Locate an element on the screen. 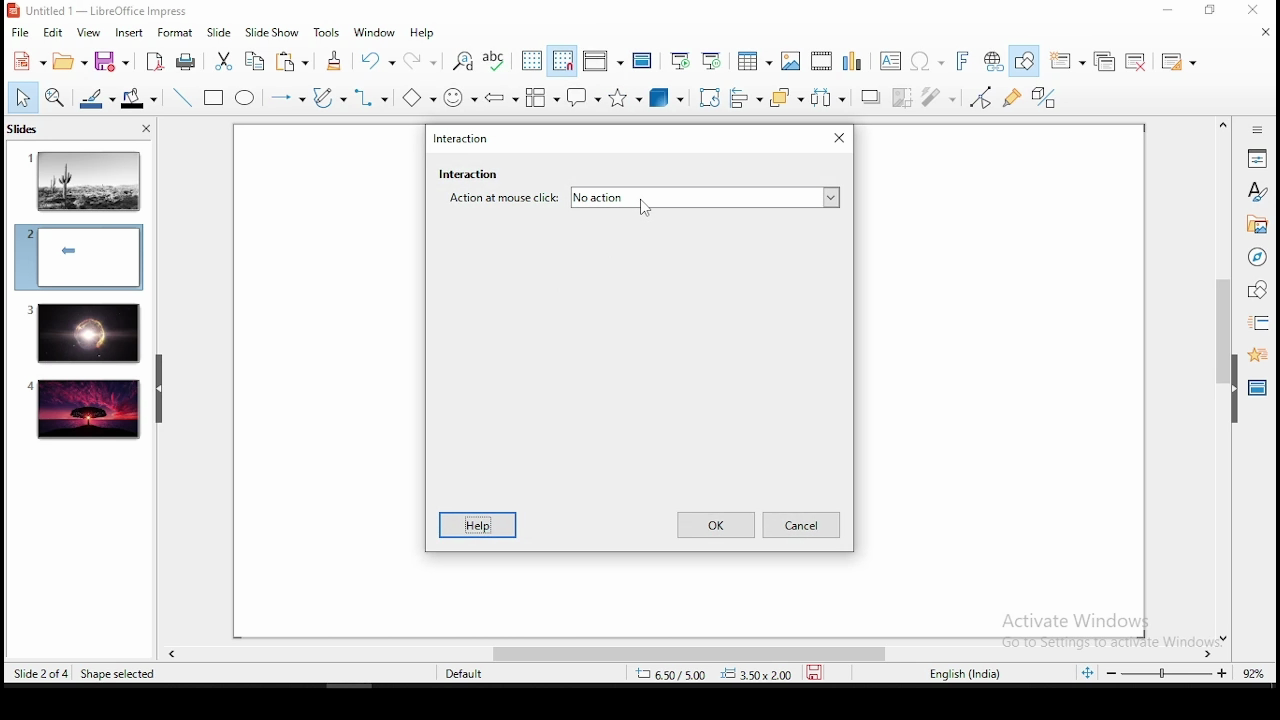 This screenshot has height=720, width=1280. shapes is located at coordinates (1255, 290).